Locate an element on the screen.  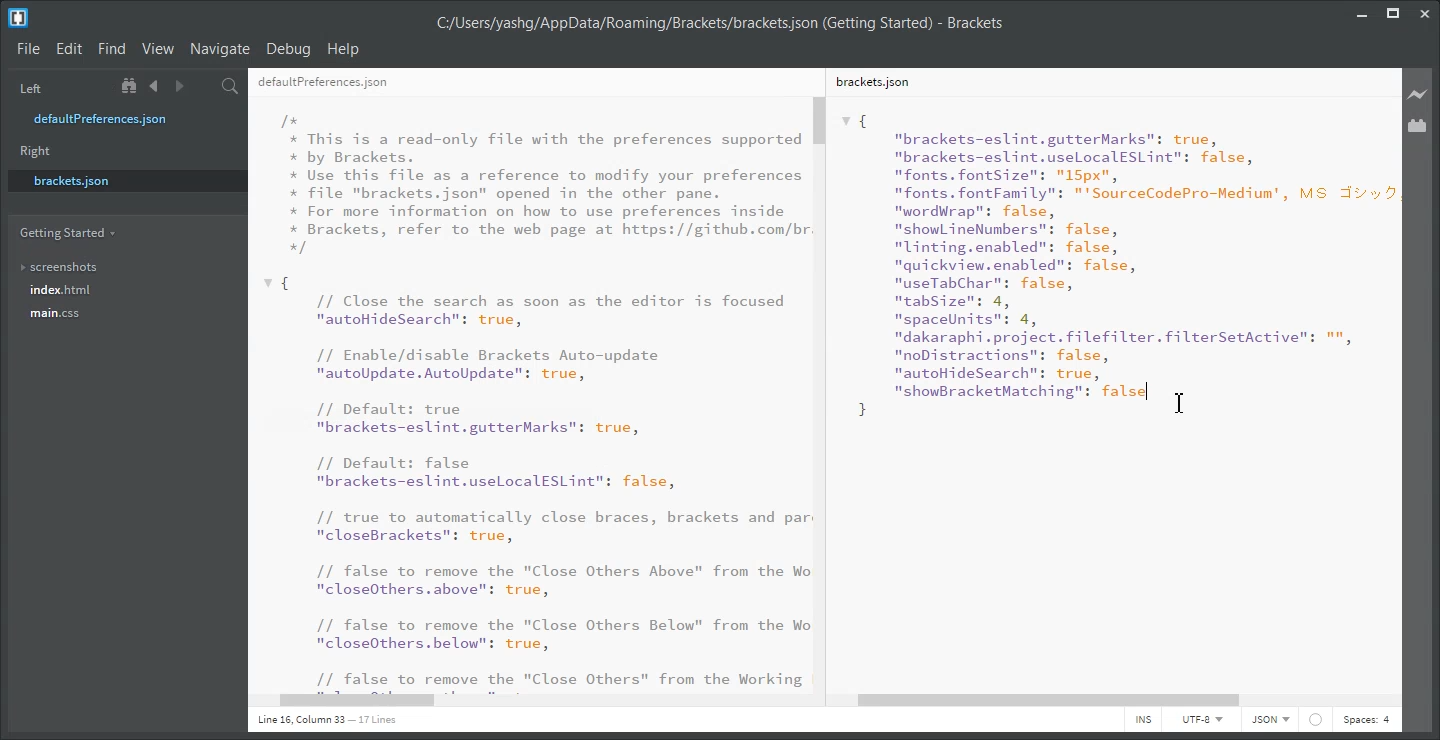
Horizontal Scroll Bar is located at coordinates (1116, 701).